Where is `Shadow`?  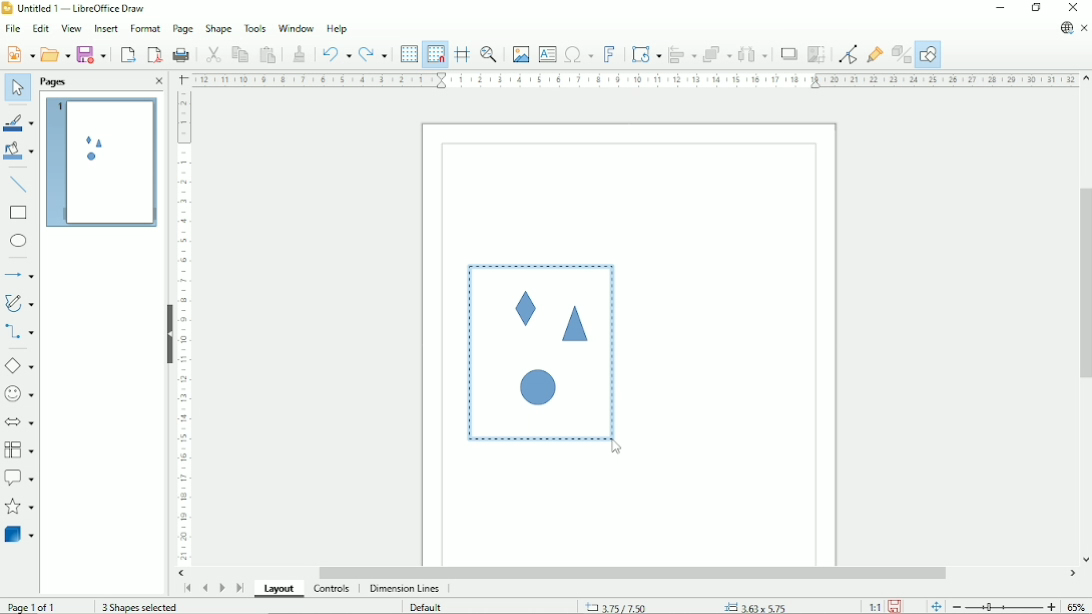 Shadow is located at coordinates (789, 54).